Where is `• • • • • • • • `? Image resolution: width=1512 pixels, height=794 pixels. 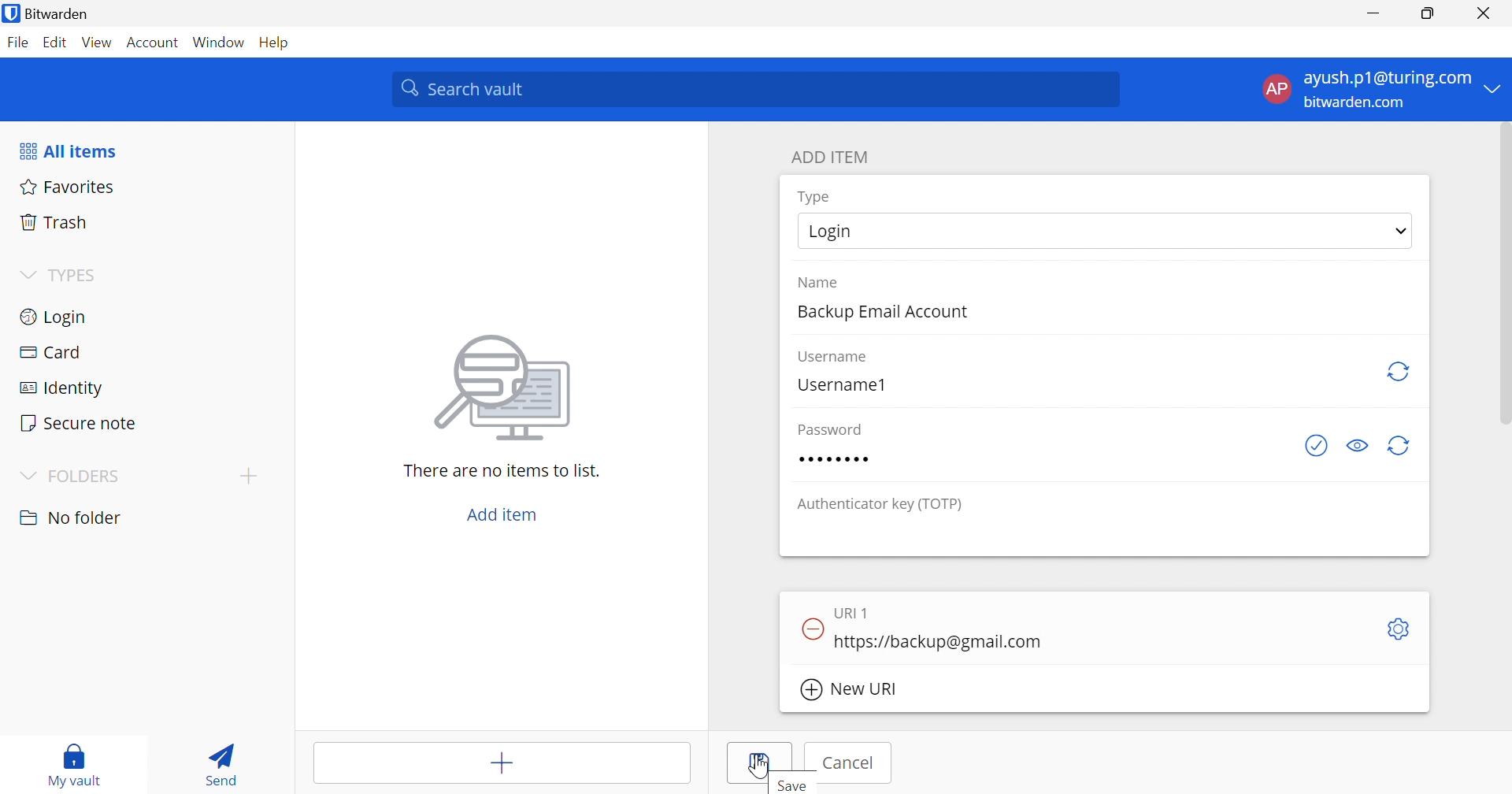 • • • • • • • •  is located at coordinates (832, 459).